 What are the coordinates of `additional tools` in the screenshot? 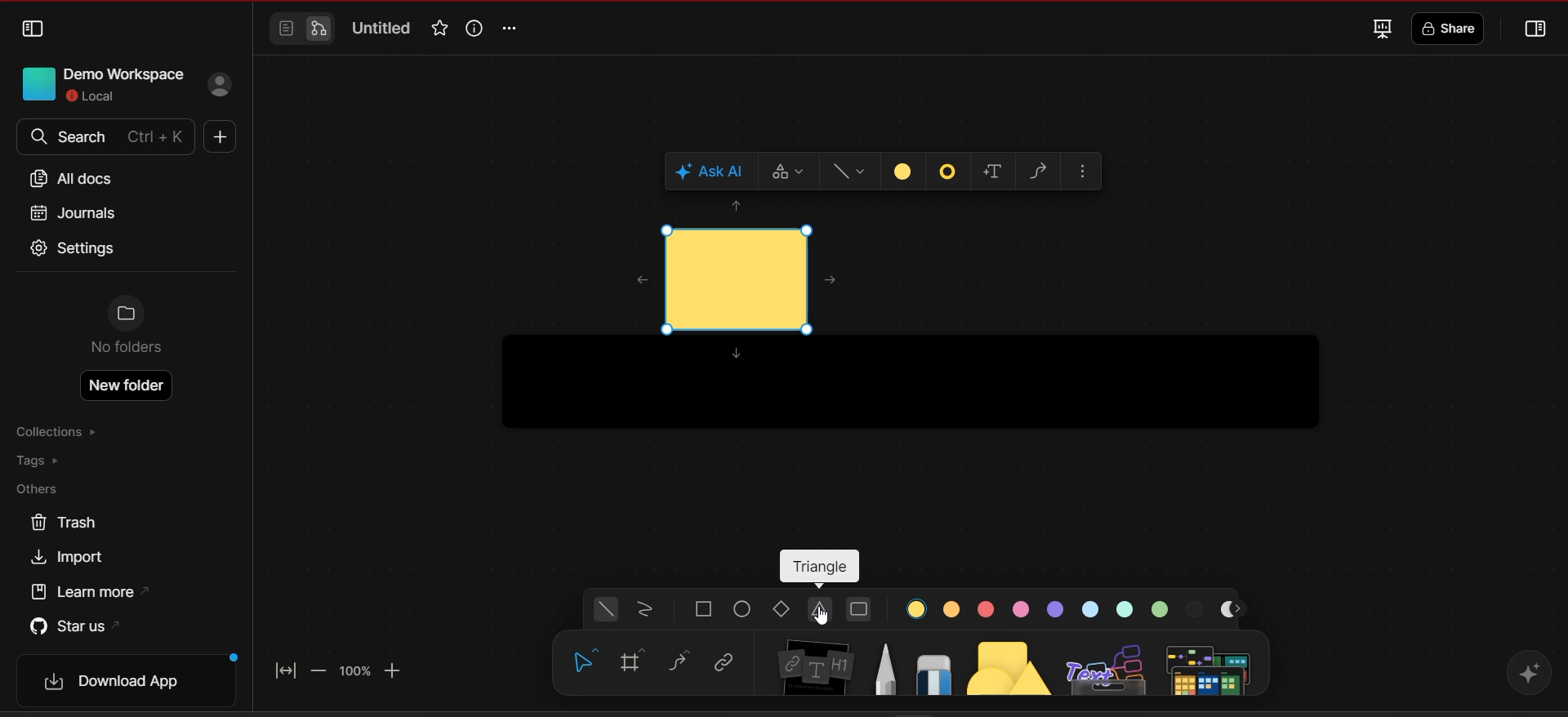 It's located at (1211, 668).